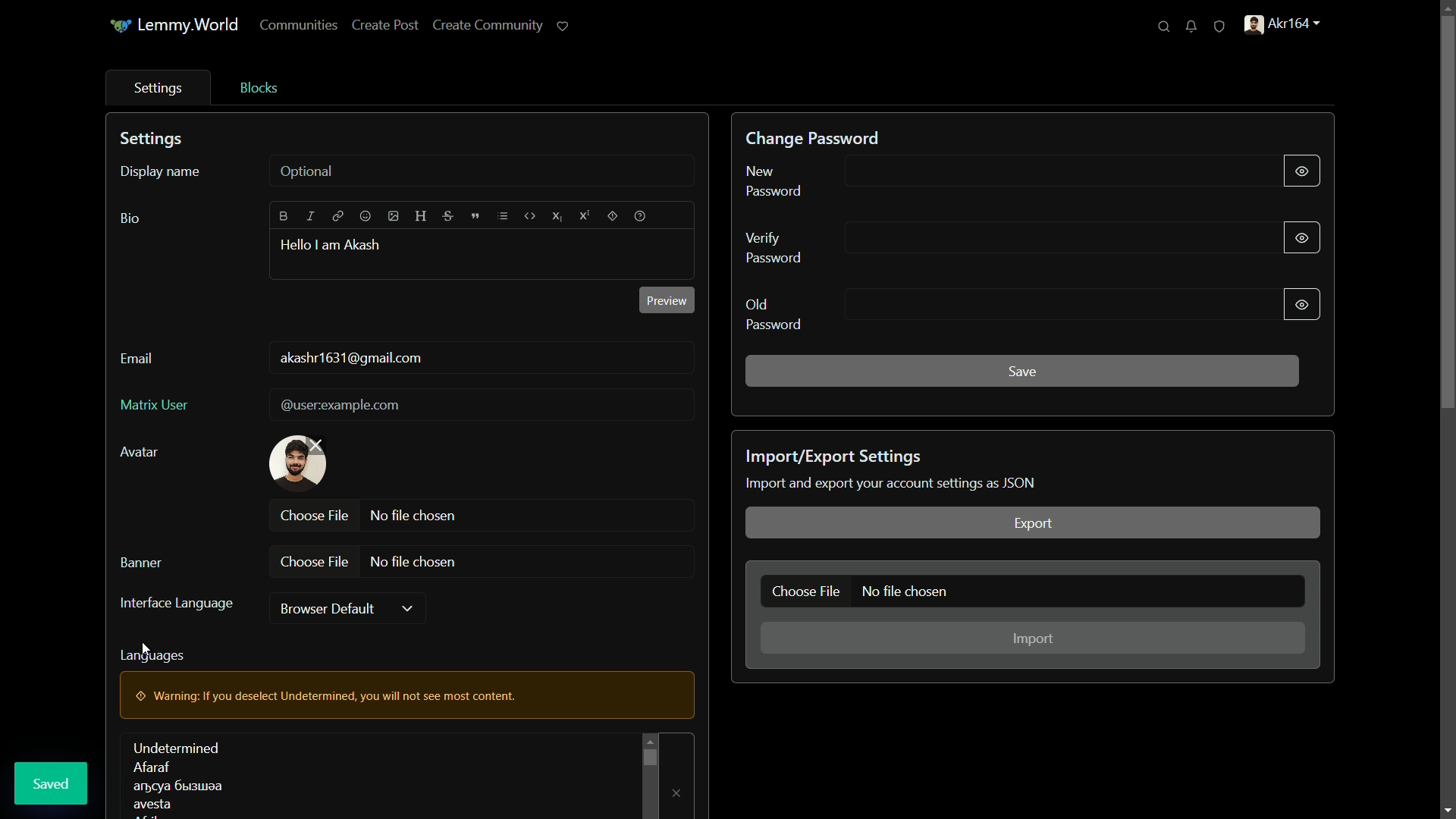 The height and width of the screenshot is (819, 1456). What do you see at coordinates (137, 359) in the screenshot?
I see `email` at bounding box center [137, 359].